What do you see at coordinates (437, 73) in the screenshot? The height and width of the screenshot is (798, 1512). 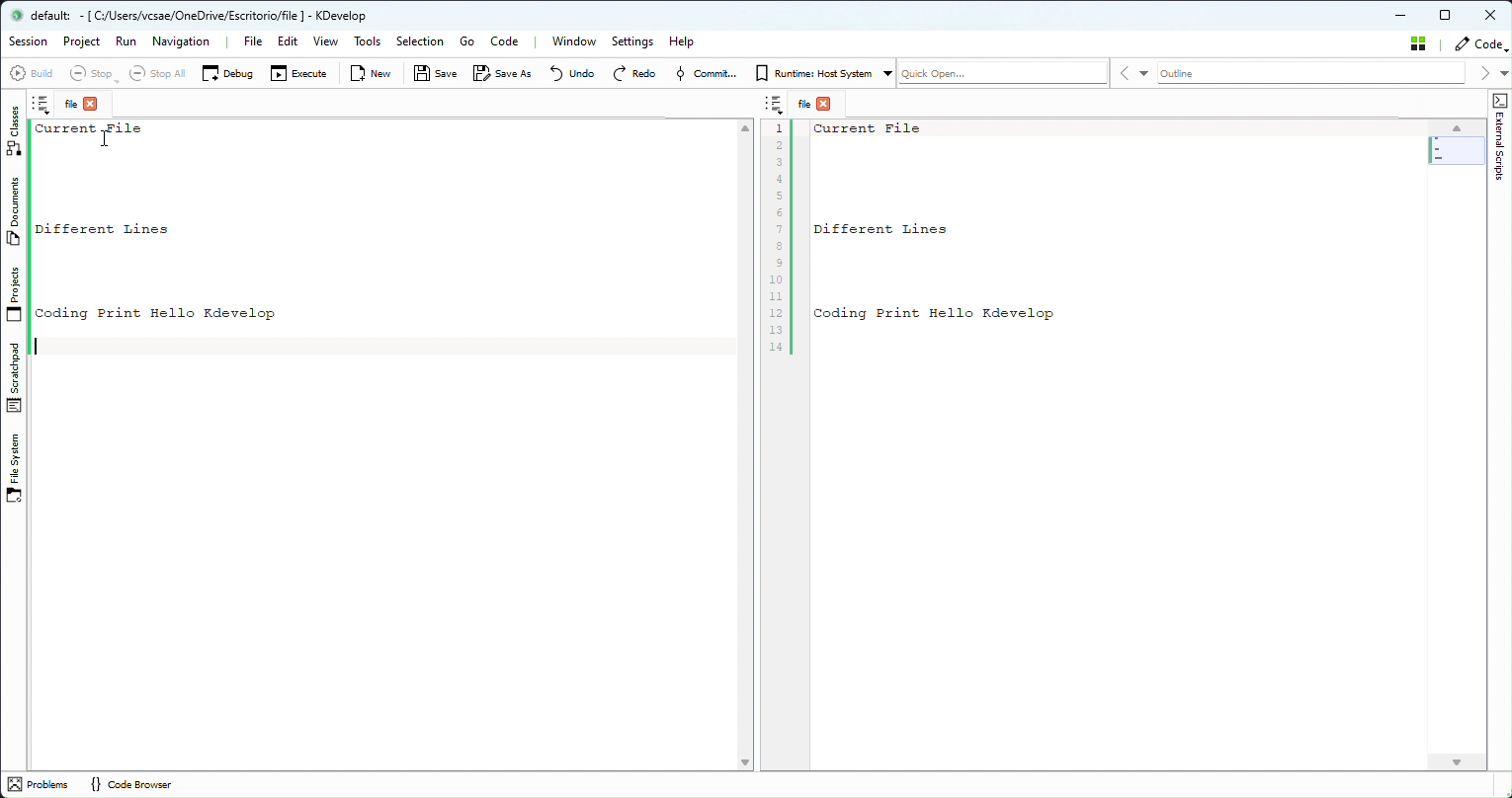 I see `Save` at bounding box center [437, 73].